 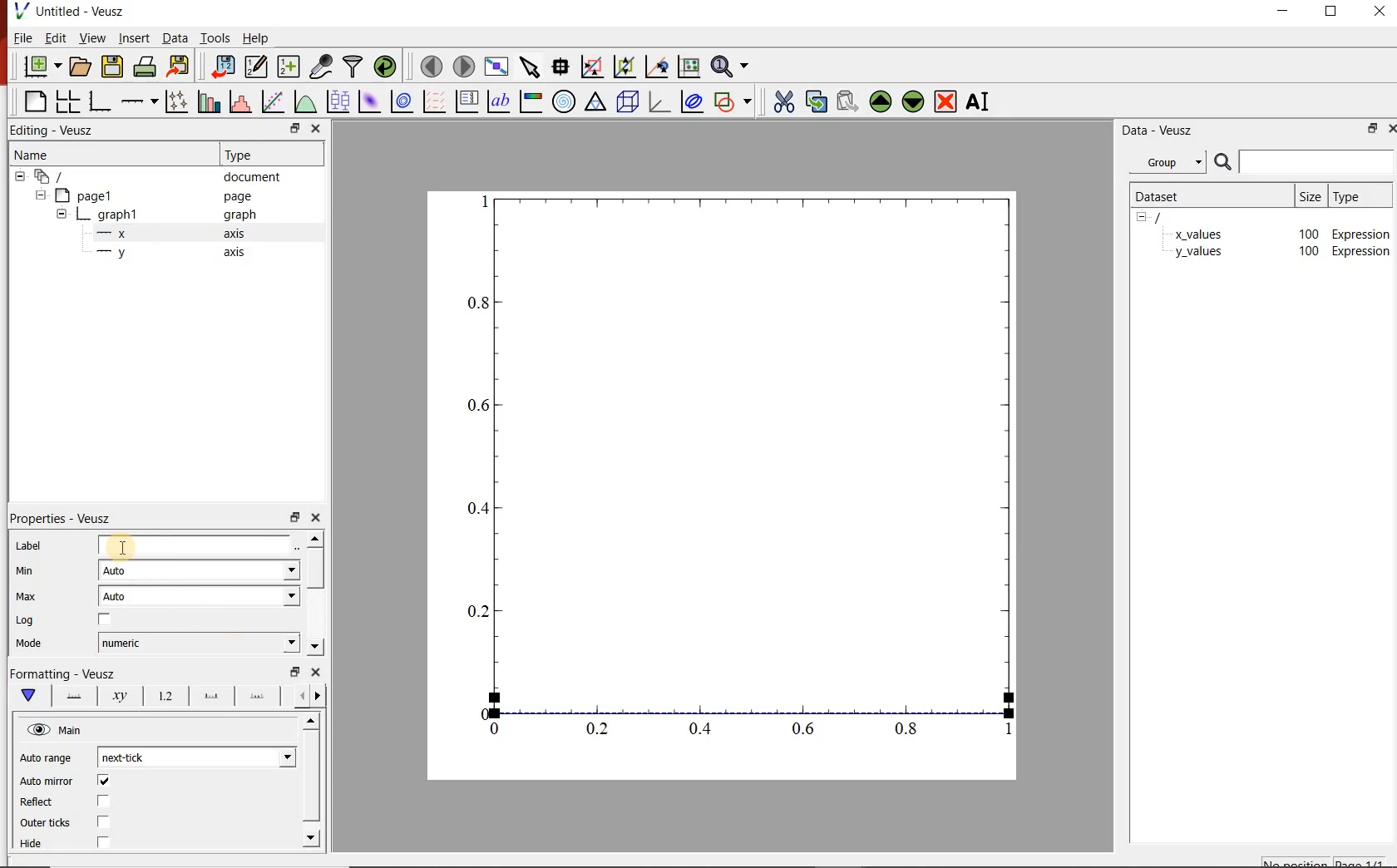 I want to click on print the documents, so click(x=145, y=67).